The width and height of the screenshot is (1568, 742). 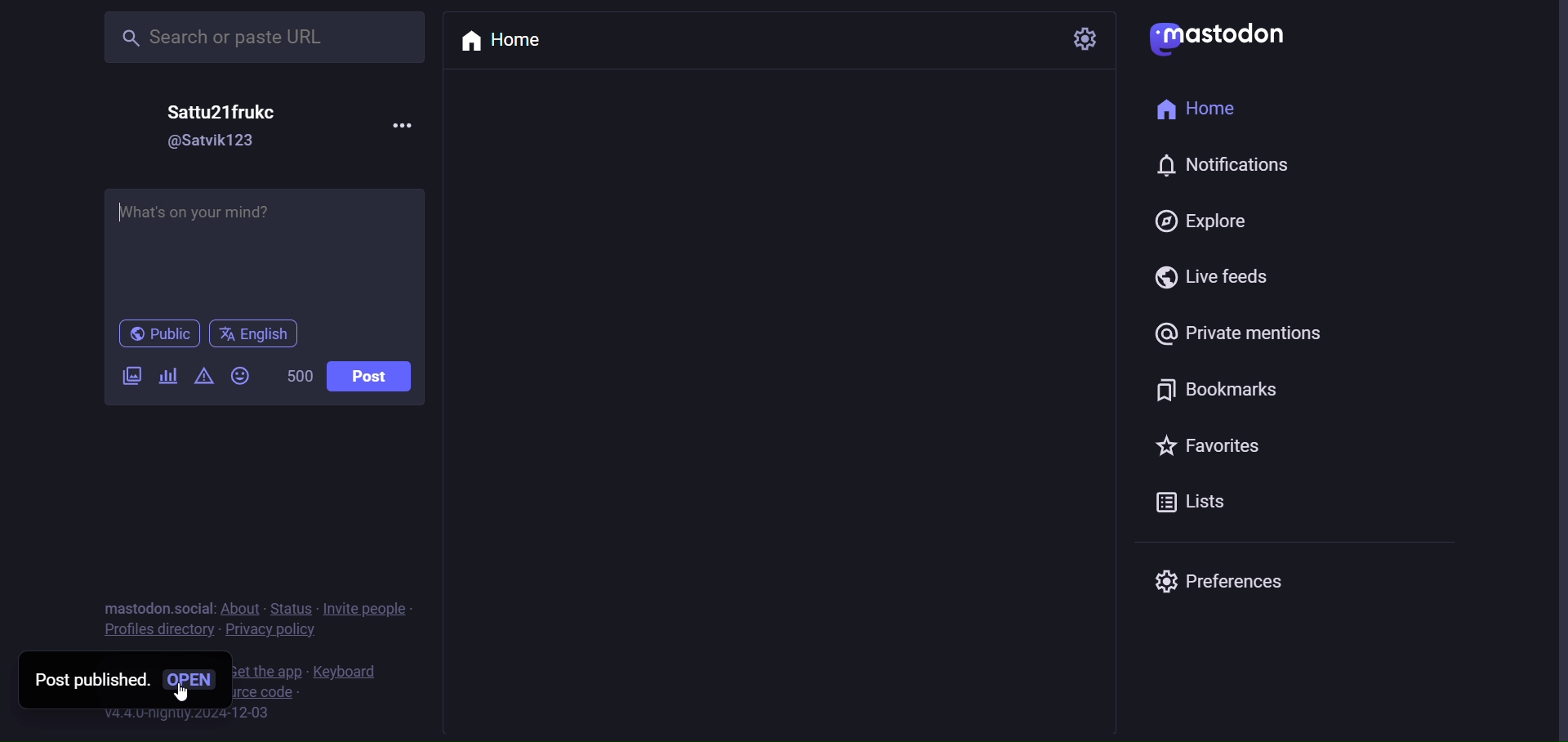 What do you see at coordinates (400, 125) in the screenshot?
I see `more` at bounding box center [400, 125].